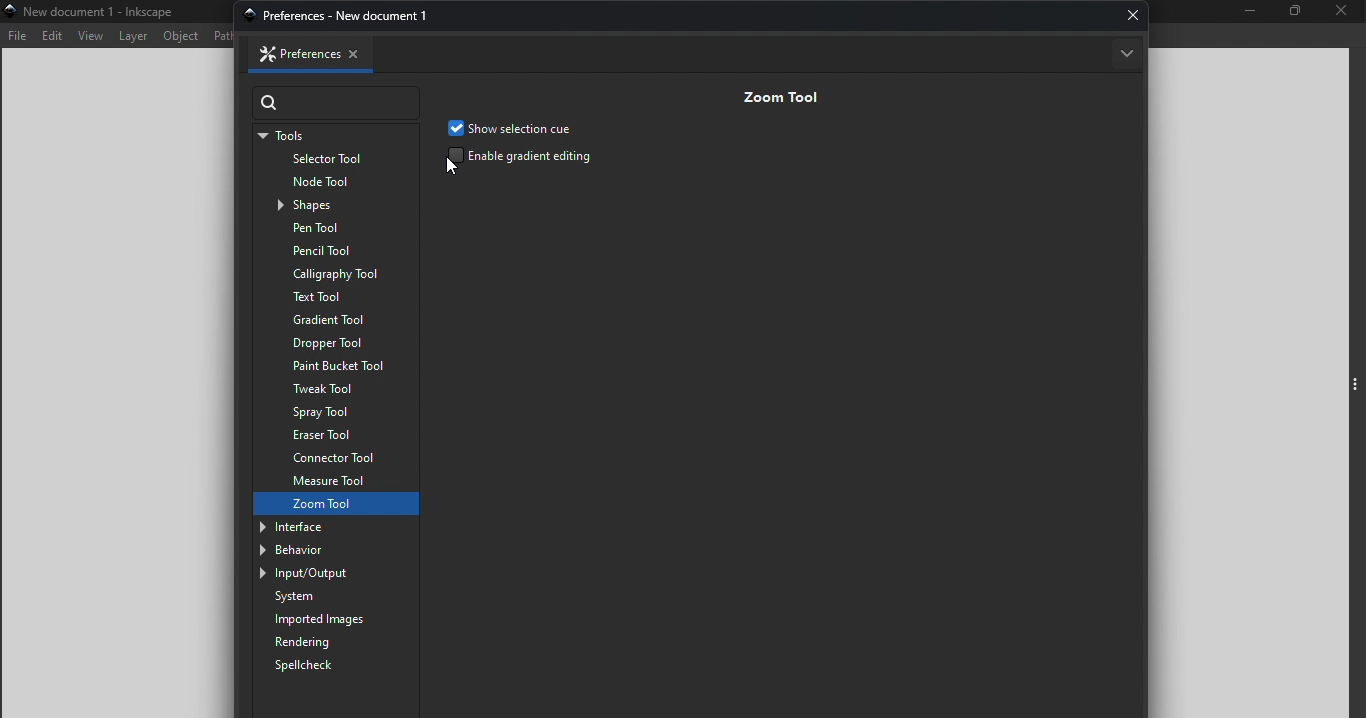 This screenshot has height=718, width=1366. I want to click on Show selection cue, so click(526, 127).